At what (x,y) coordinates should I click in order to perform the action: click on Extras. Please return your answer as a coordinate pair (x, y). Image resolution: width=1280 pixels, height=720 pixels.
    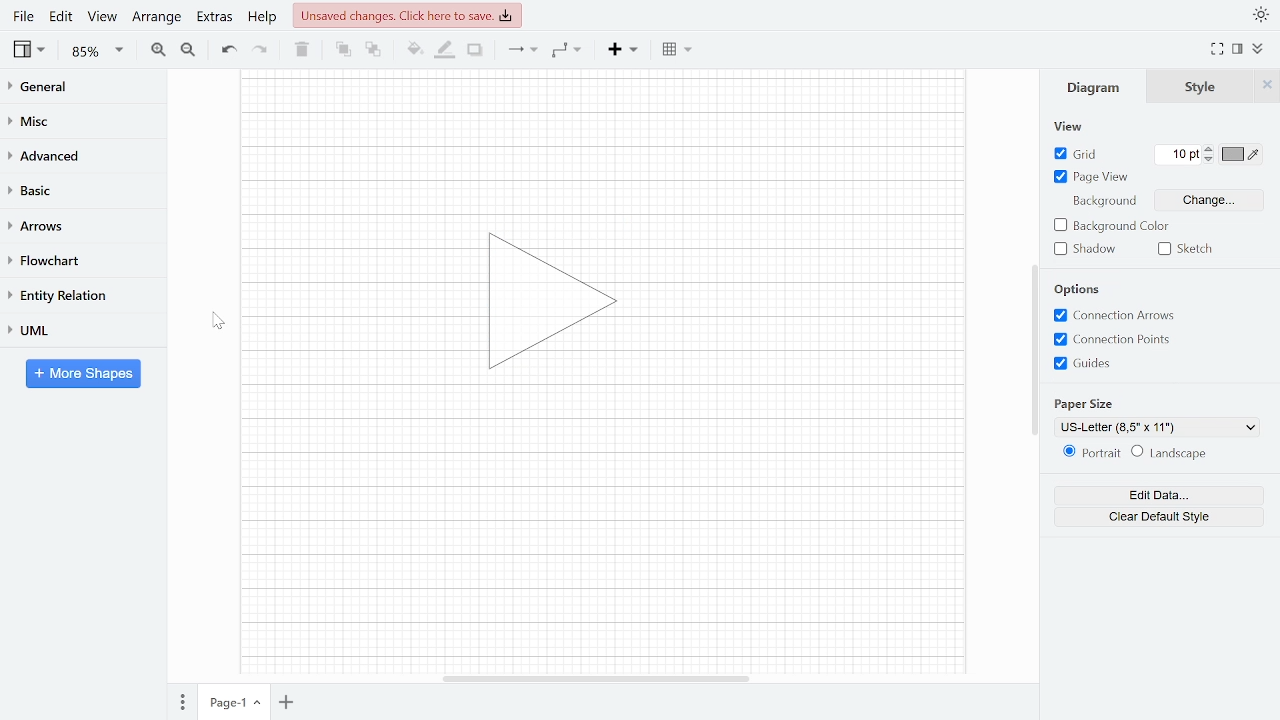
    Looking at the image, I should click on (212, 16).